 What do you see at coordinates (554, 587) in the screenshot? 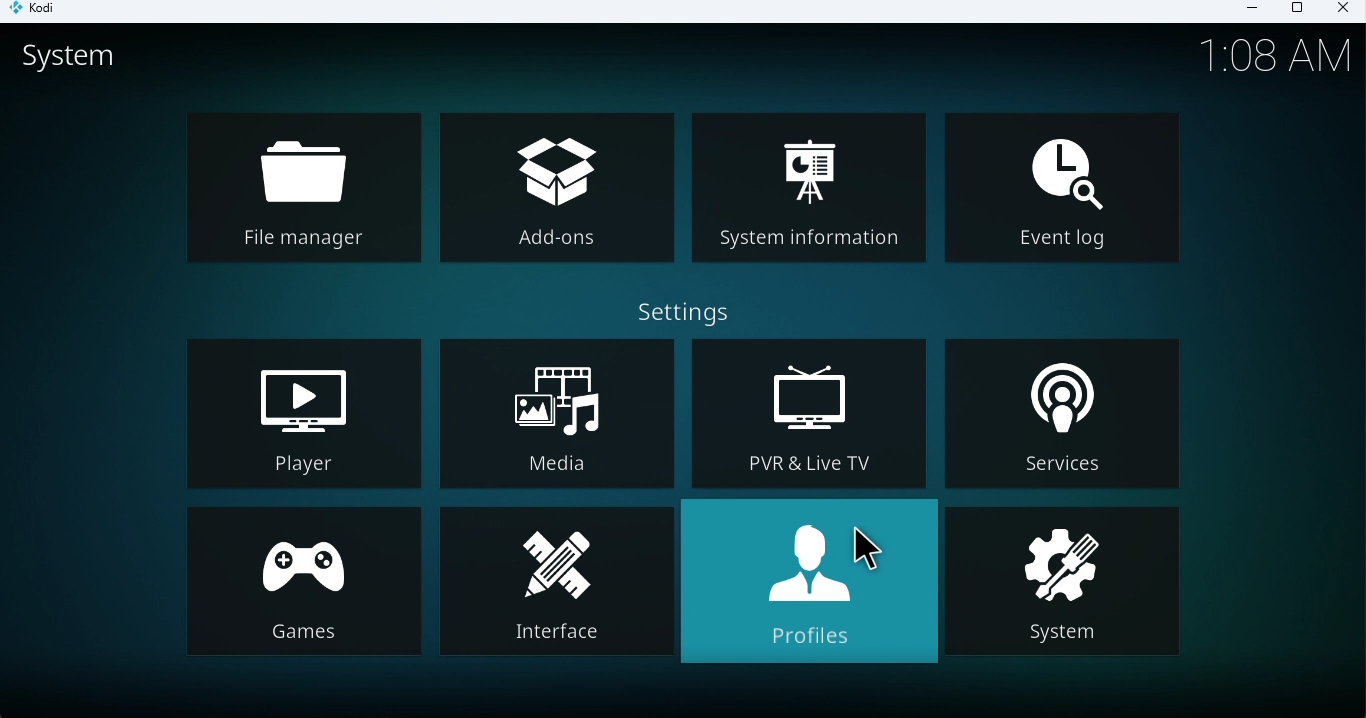
I see `Interface` at bounding box center [554, 587].